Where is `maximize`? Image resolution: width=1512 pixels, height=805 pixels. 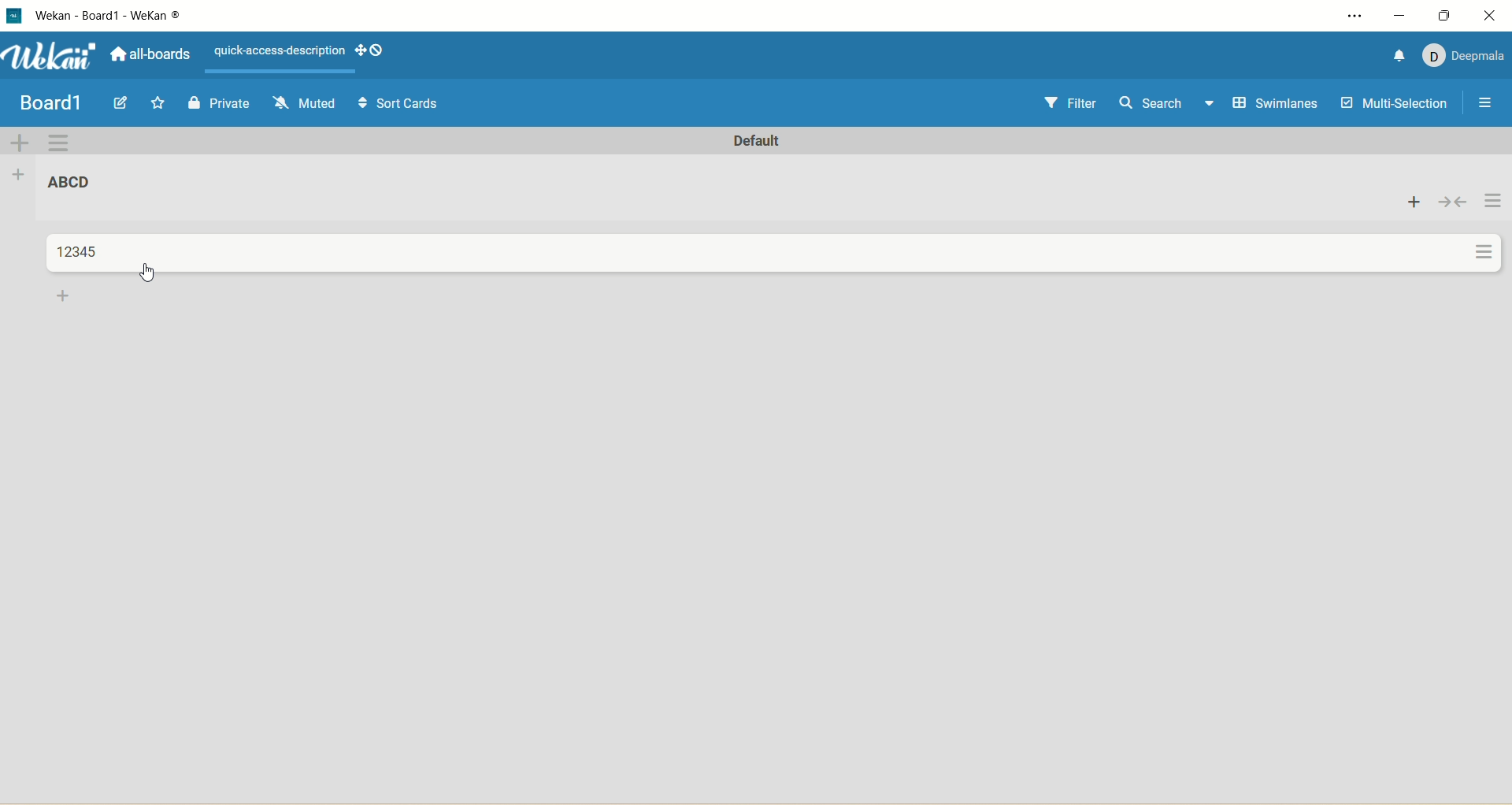 maximize is located at coordinates (1447, 15).